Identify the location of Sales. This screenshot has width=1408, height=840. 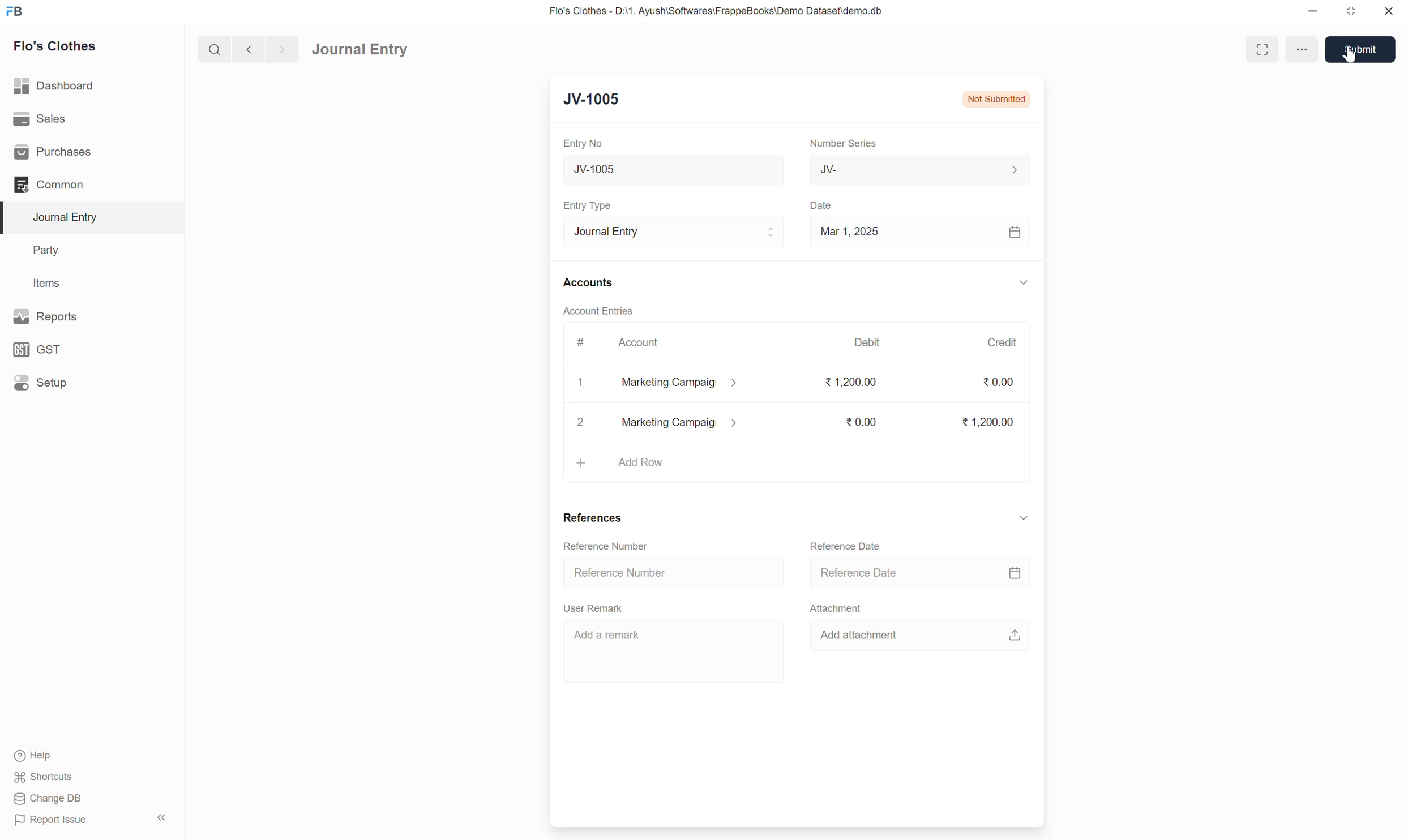
(39, 117).